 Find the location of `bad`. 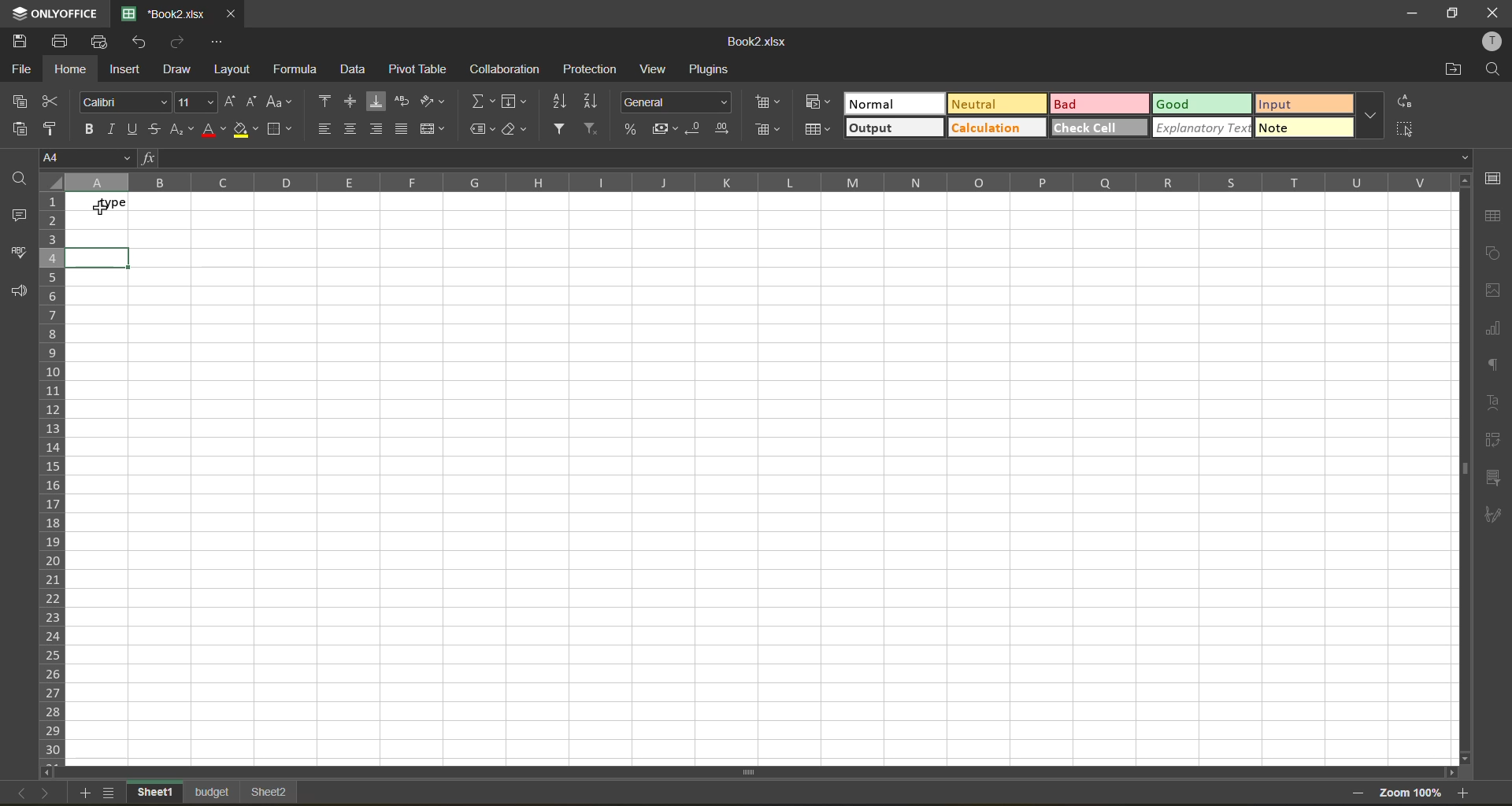

bad is located at coordinates (1096, 102).